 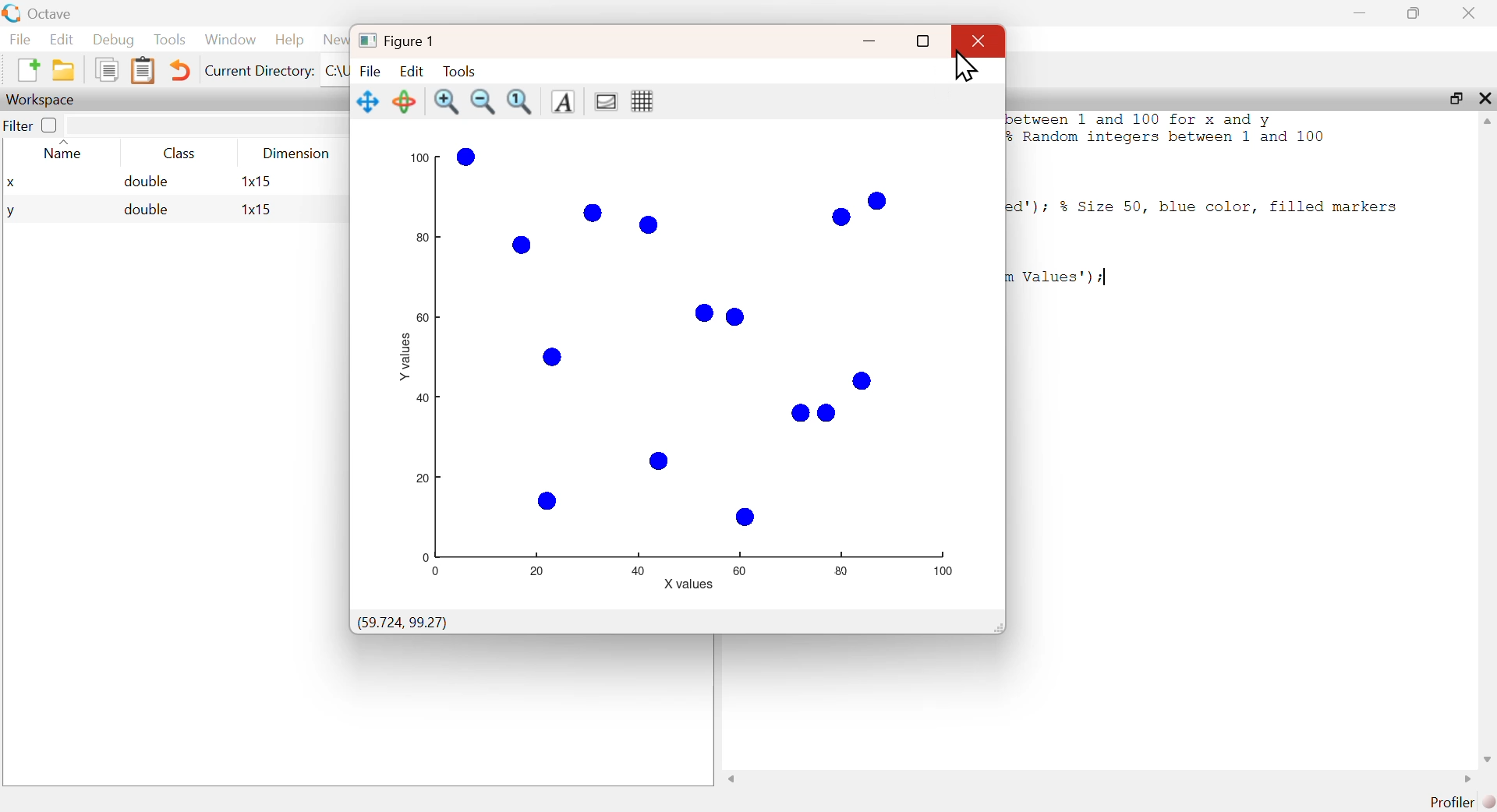 What do you see at coordinates (65, 151) in the screenshot?
I see `Name` at bounding box center [65, 151].